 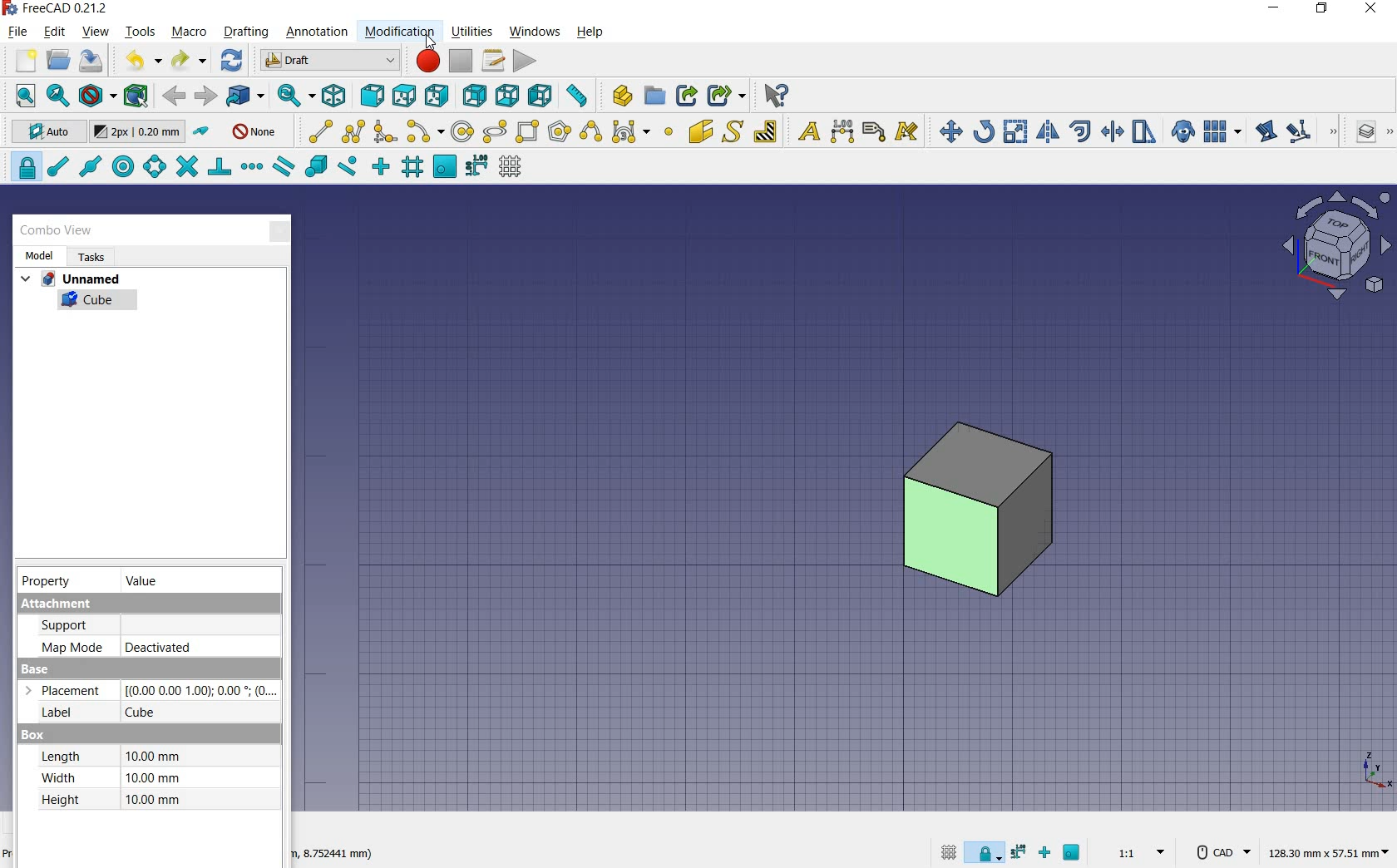 I want to click on snap midpoint, so click(x=91, y=167).